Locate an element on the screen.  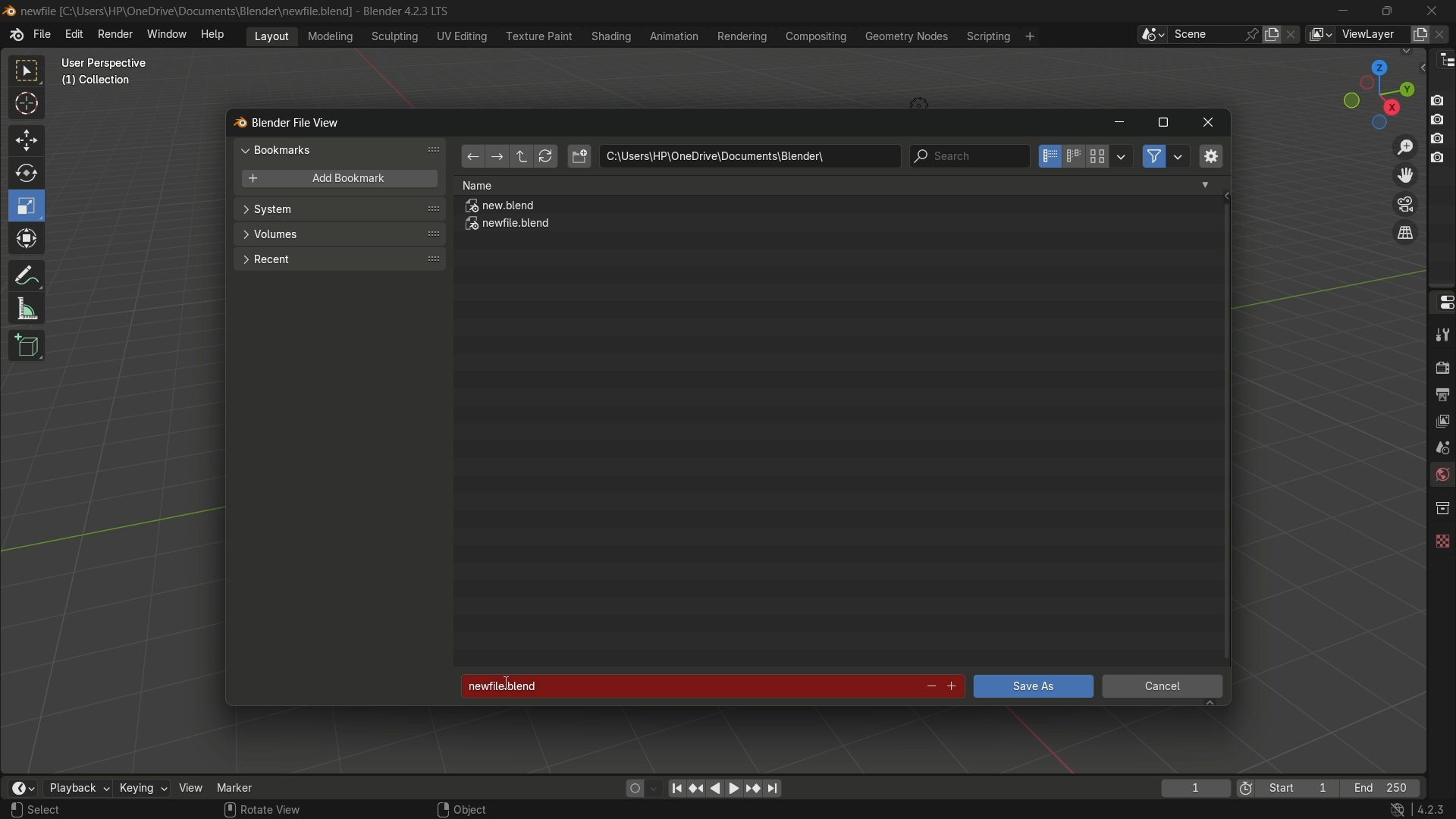
move is located at coordinates (25, 139).